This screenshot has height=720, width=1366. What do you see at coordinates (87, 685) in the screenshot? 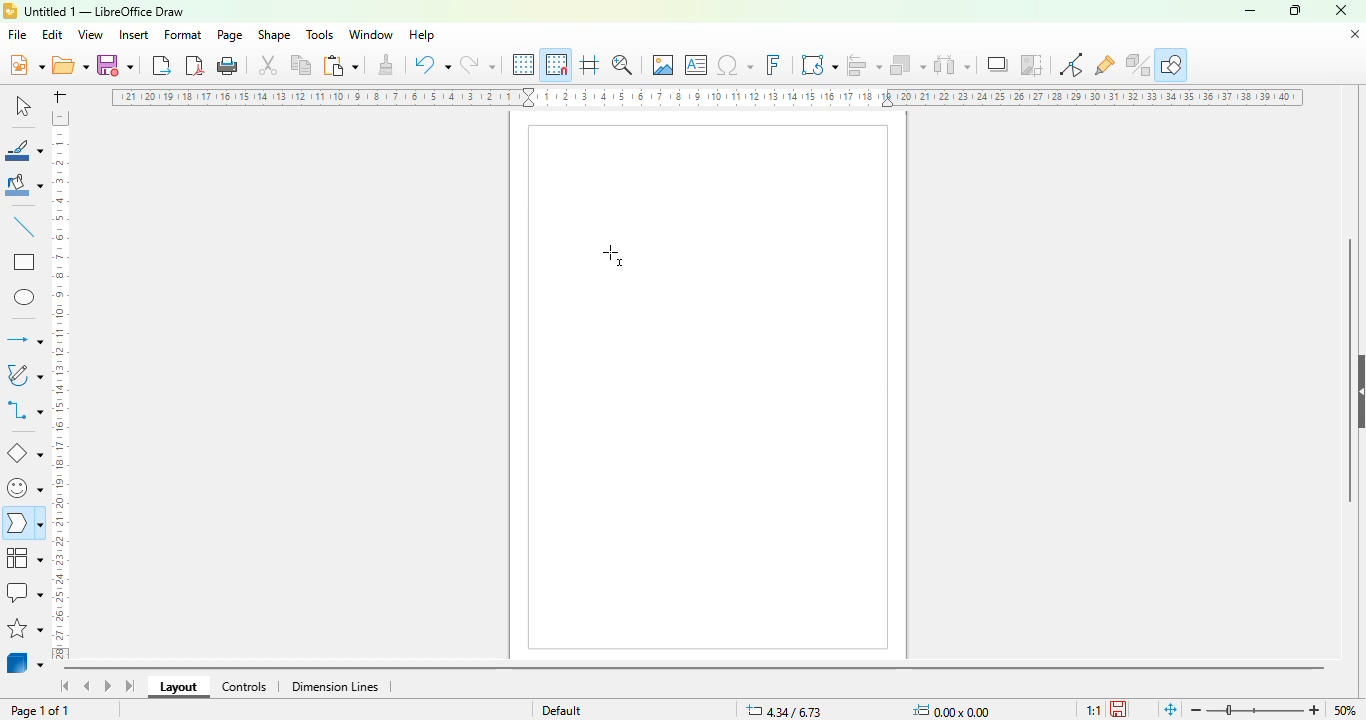
I see `scroll to previous sheet` at bounding box center [87, 685].